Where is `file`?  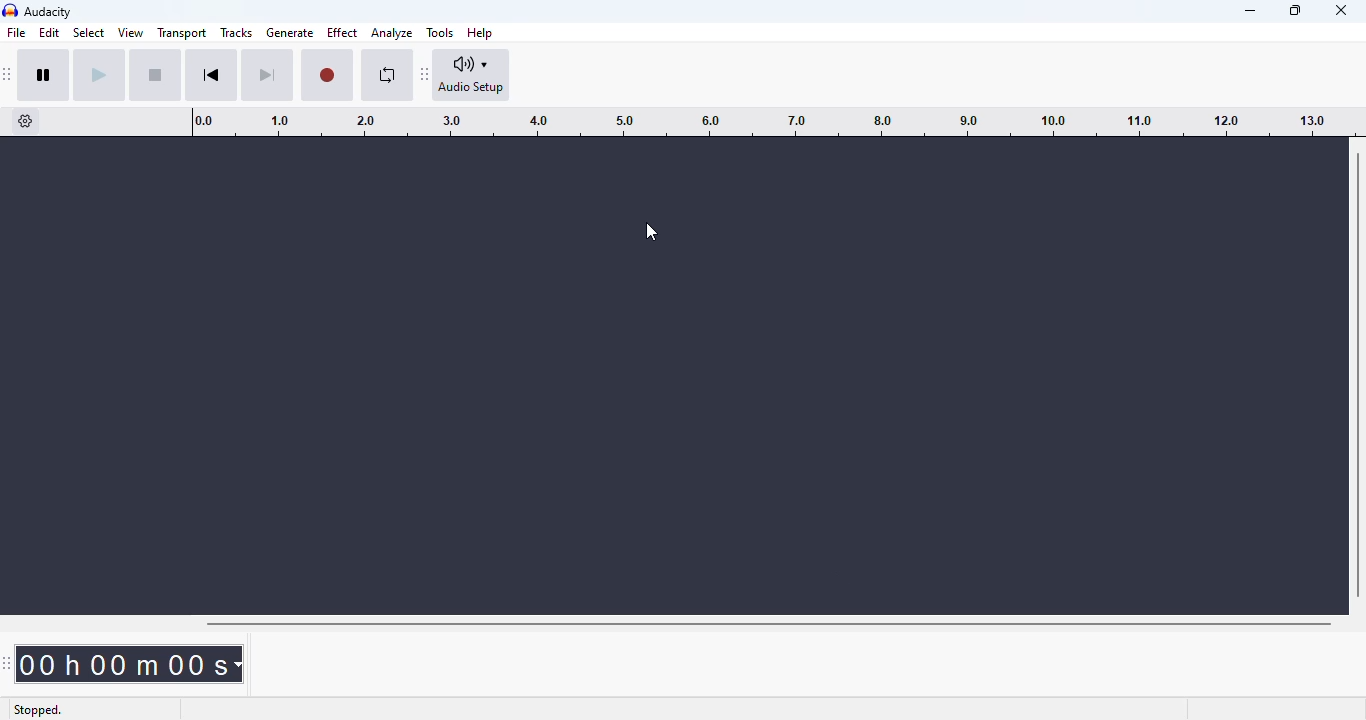
file is located at coordinates (17, 32).